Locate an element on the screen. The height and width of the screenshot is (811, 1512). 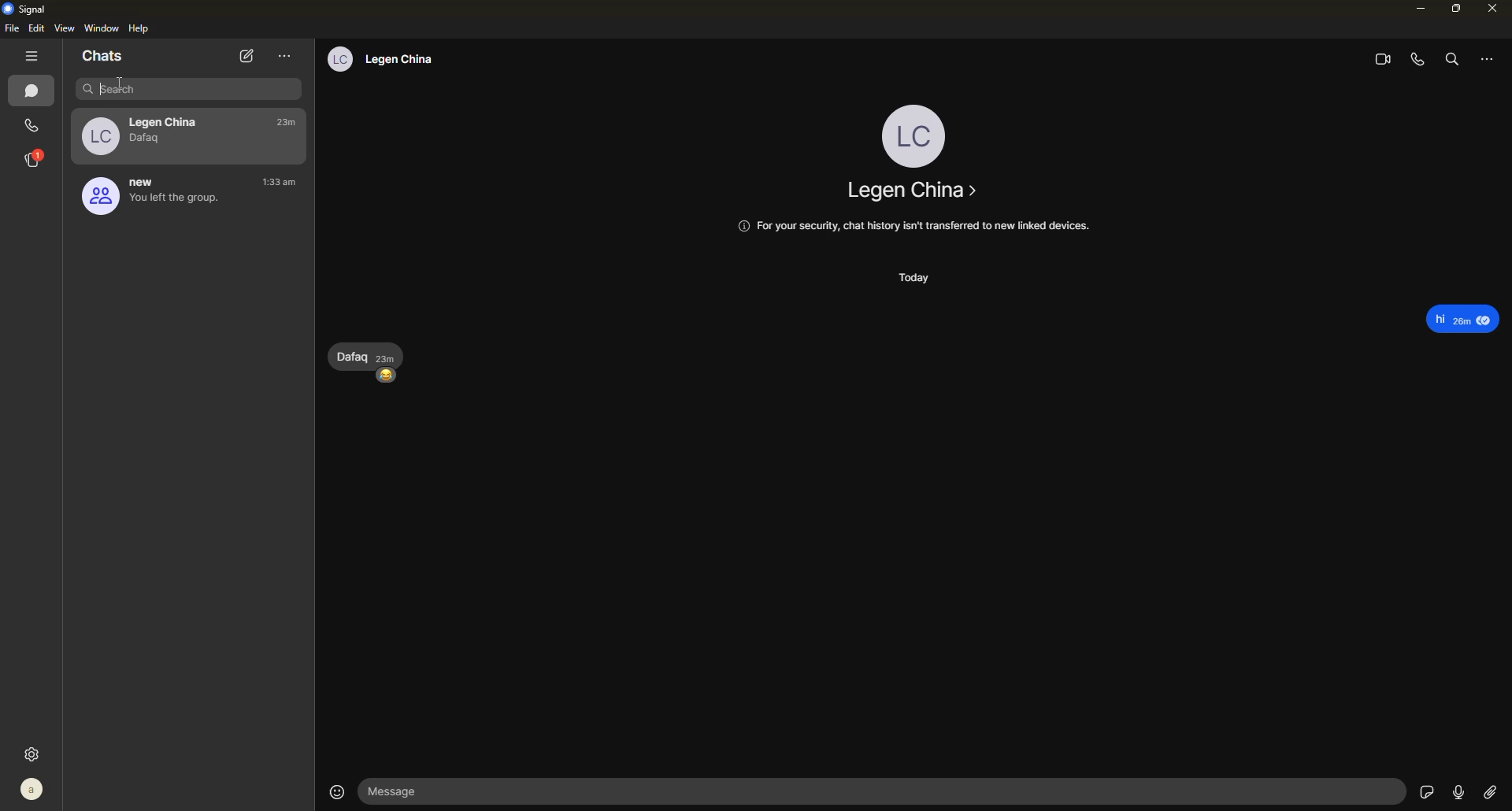
@ For your security, chat history isn't transferred to new linked devices. is located at coordinates (913, 227).